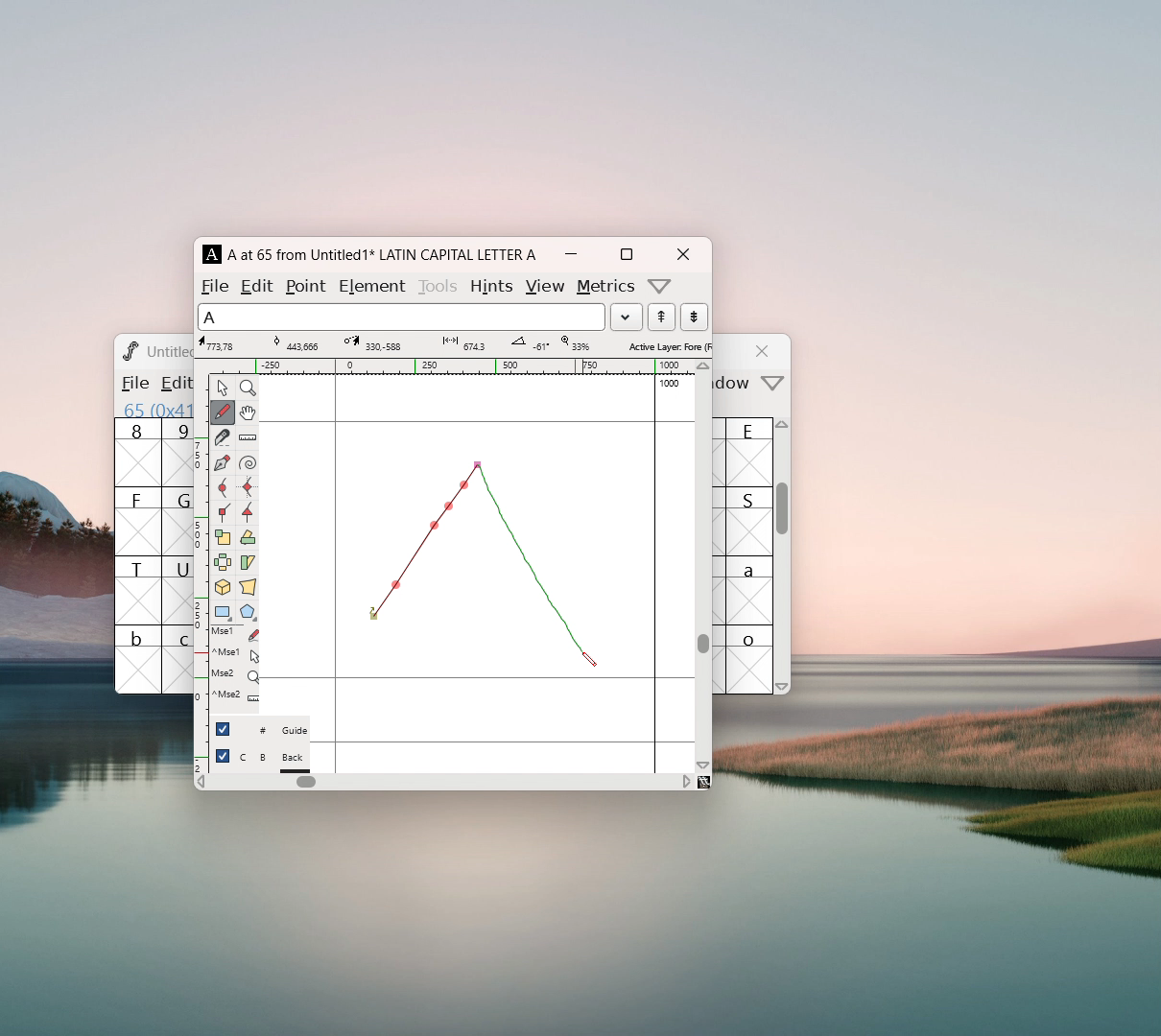  I want to click on ^Mse2, so click(235, 695).